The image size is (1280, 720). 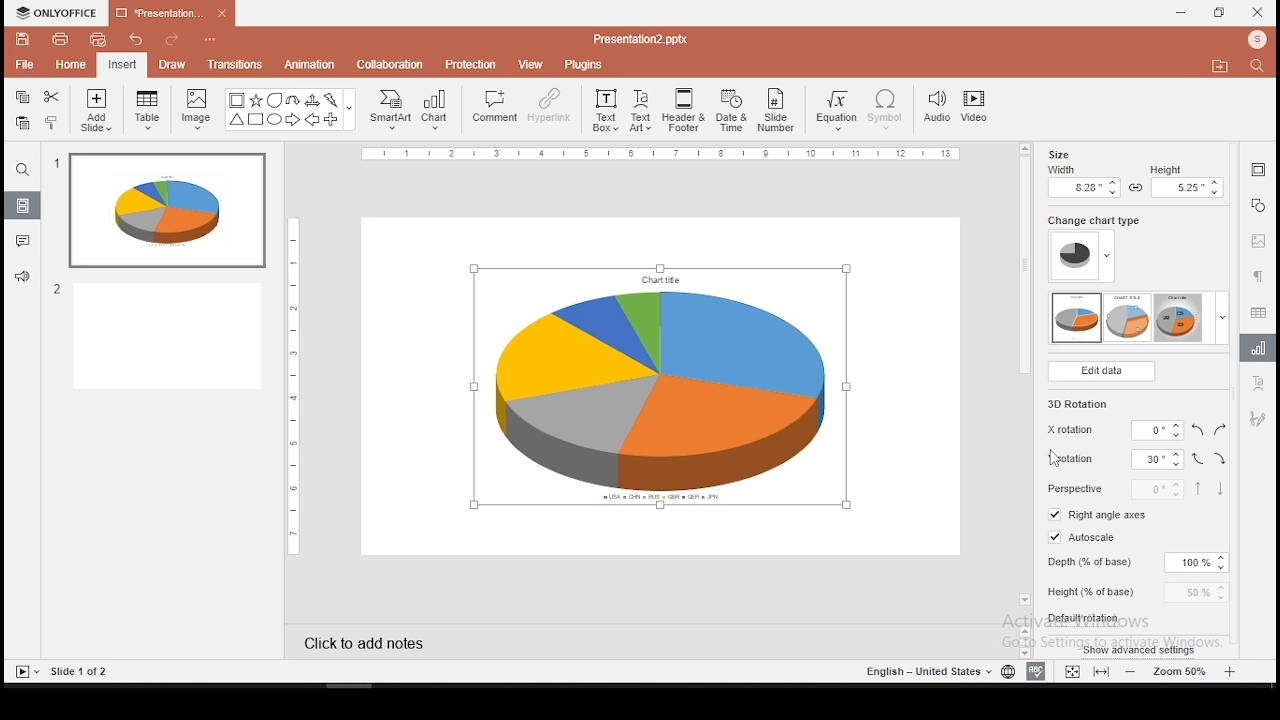 I want to click on chart, so click(x=437, y=111).